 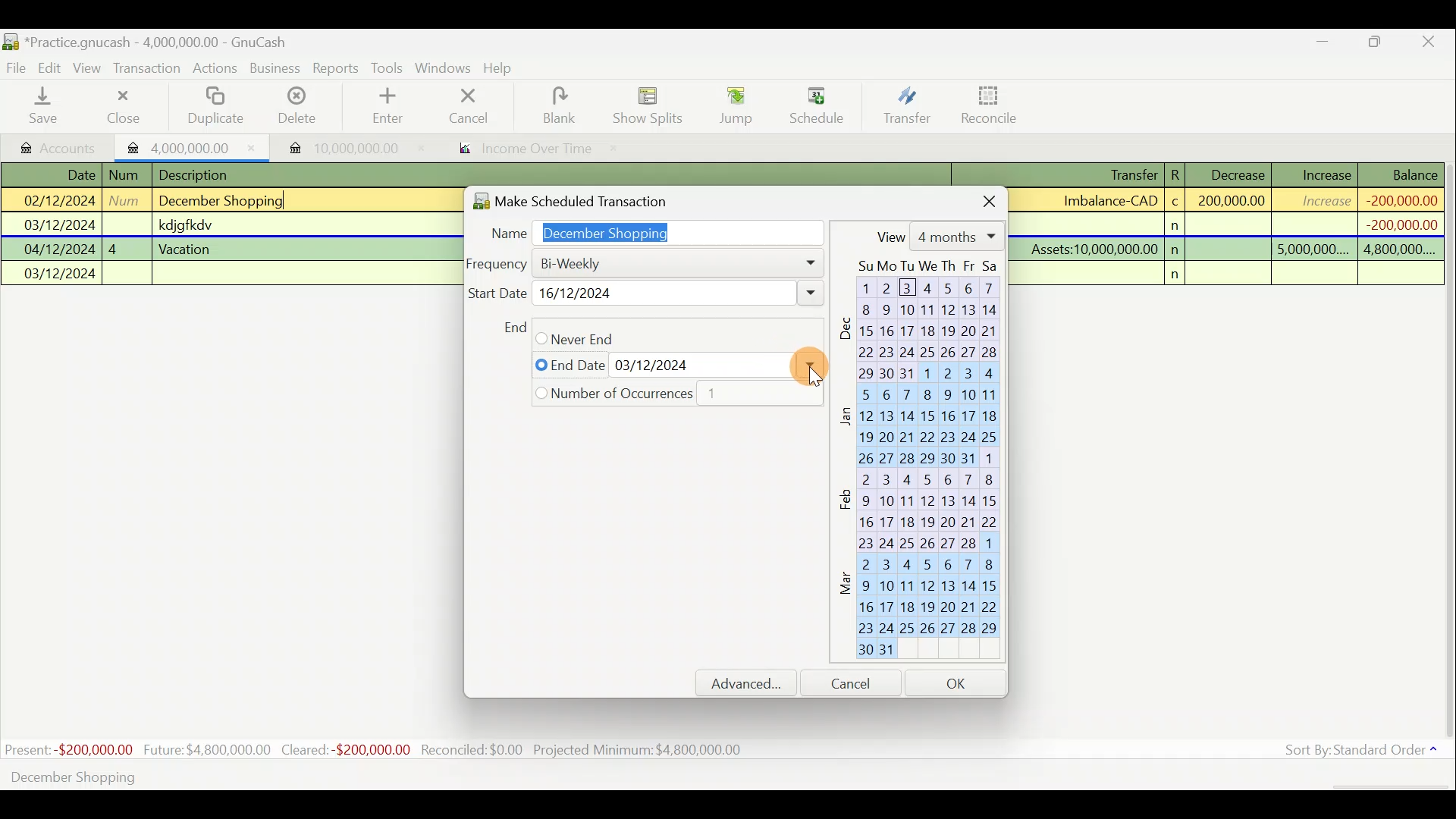 What do you see at coordinates (907, 105) in the screenshot?
I see `Transfer` at bounding box center [907, 105].